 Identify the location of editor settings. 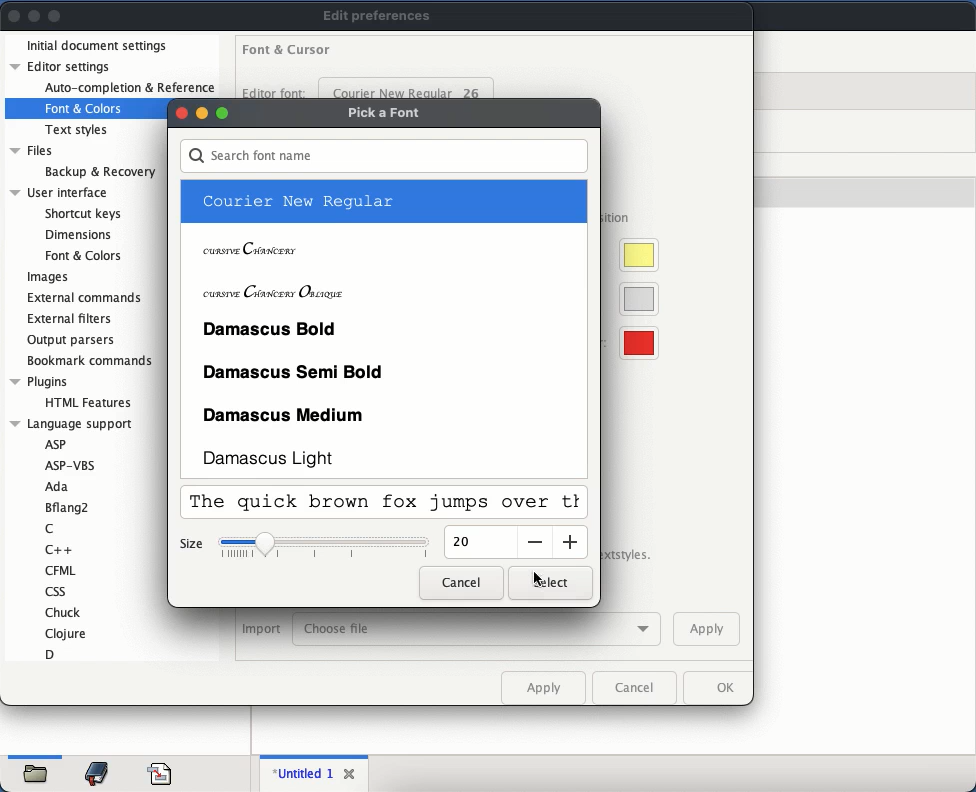
(62, 67).